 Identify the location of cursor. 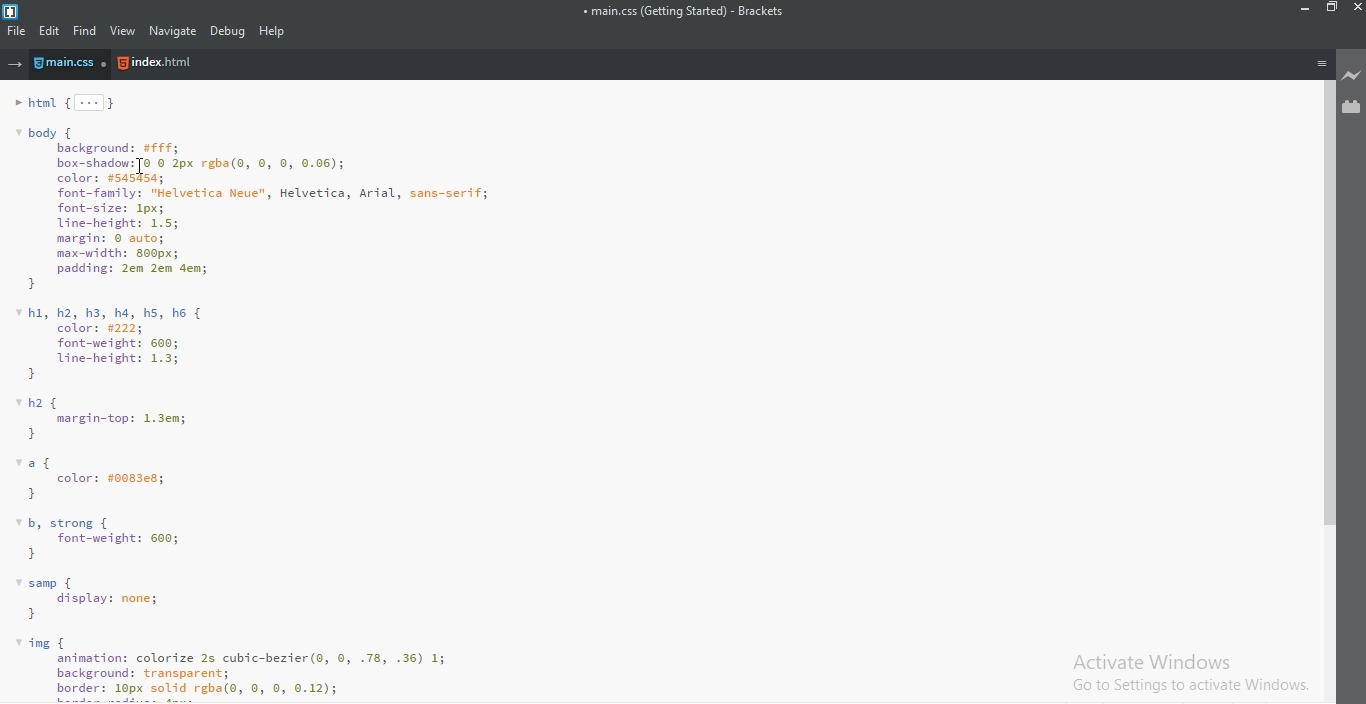
(140, 167).